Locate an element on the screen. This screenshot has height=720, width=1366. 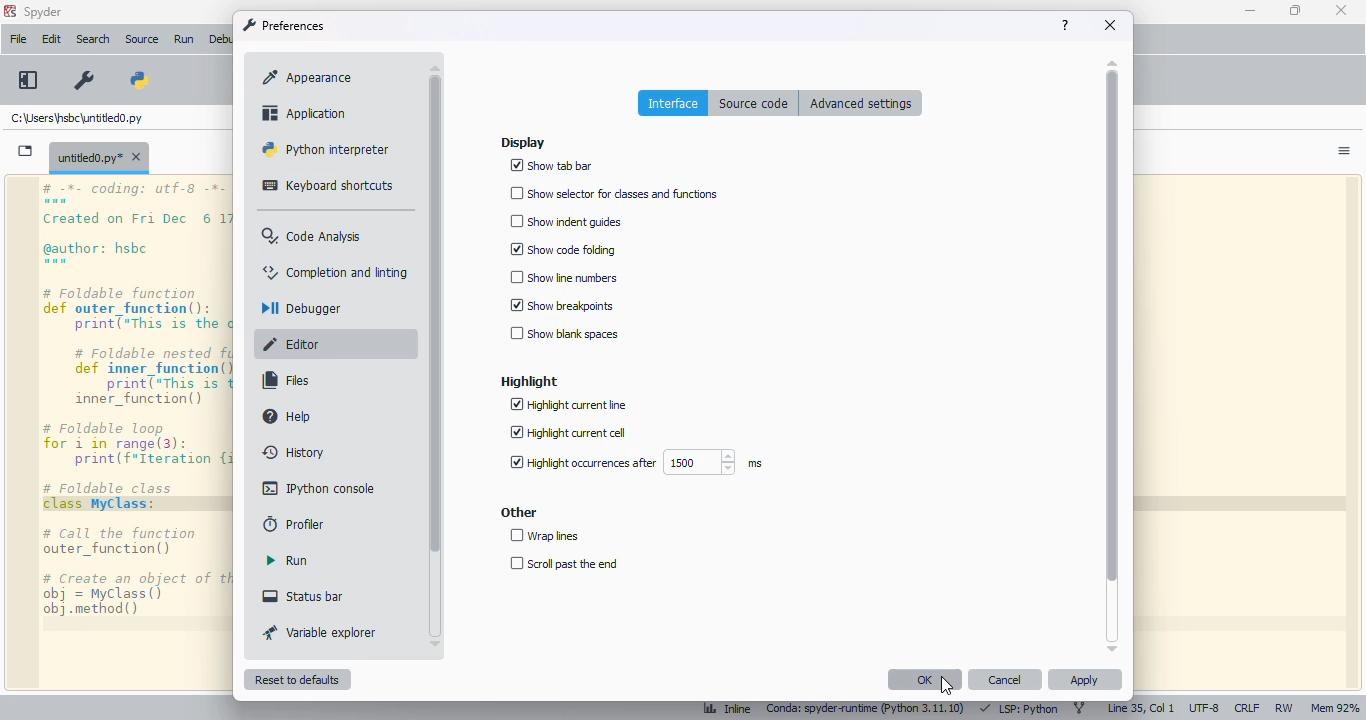
show indent guides is located at coordinates (568, 222).